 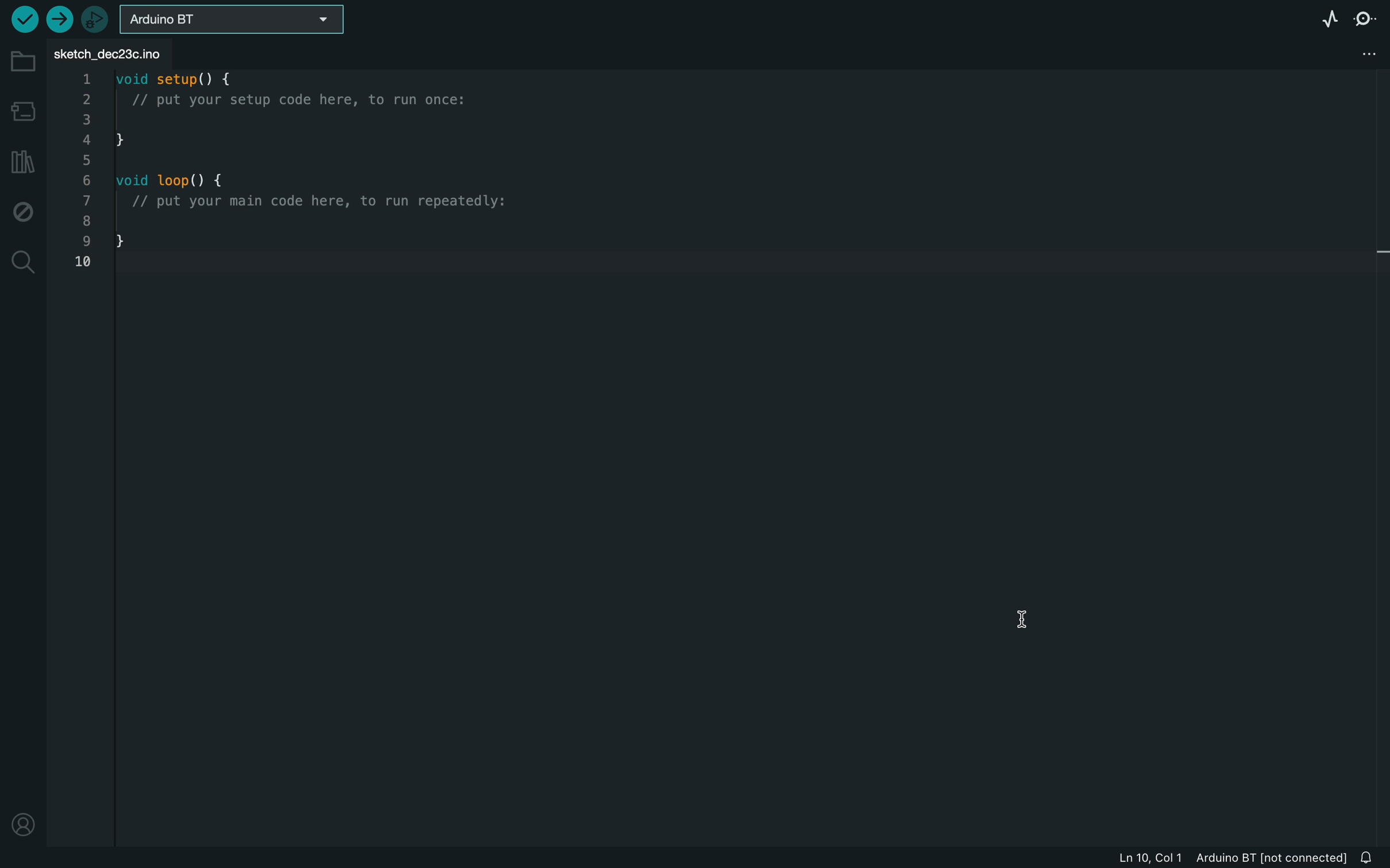 I want to click on file information, so click(x=1225, y=857).